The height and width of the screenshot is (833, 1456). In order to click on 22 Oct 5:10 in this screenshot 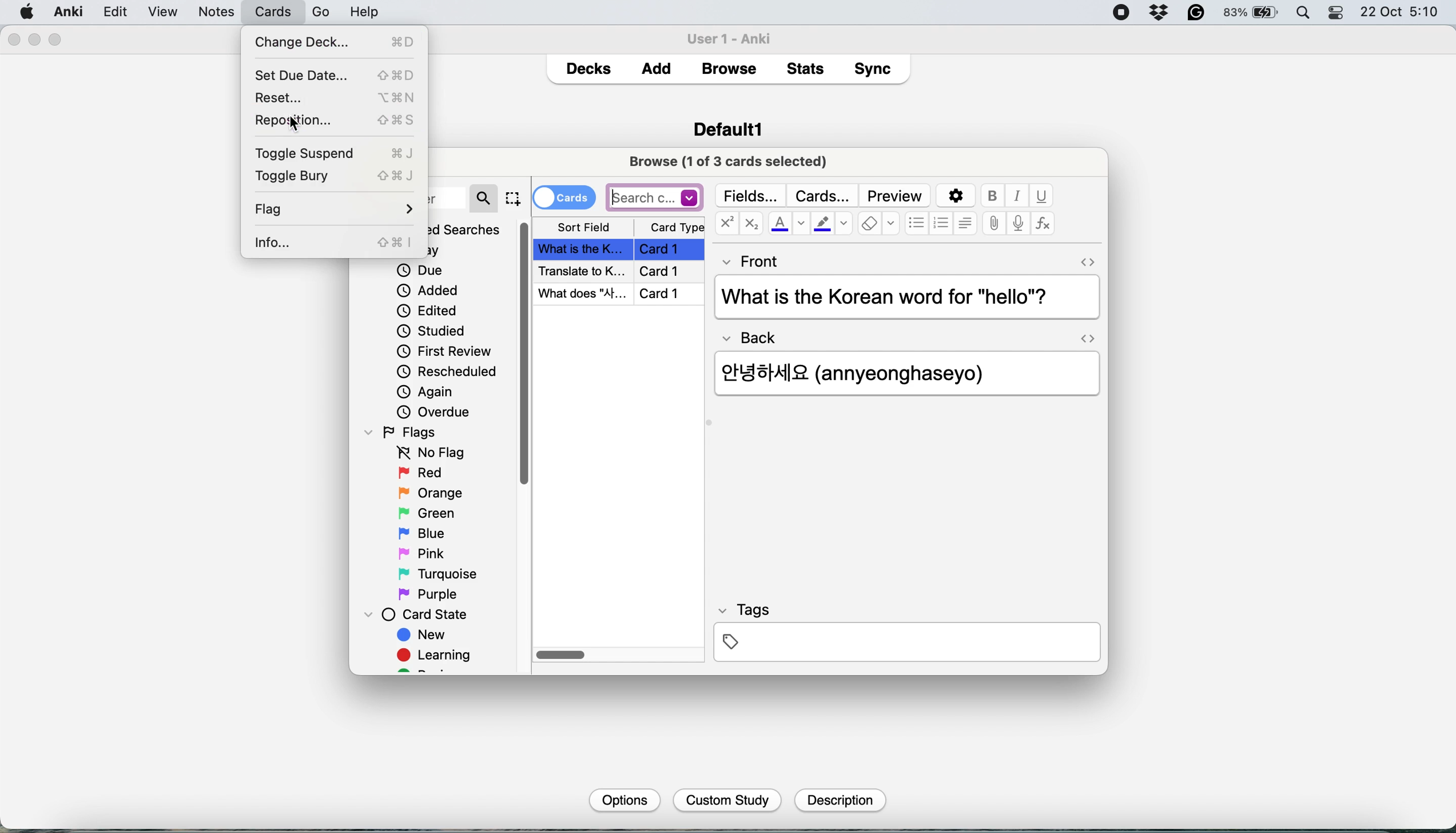, I will do `click(1401, 13)`.